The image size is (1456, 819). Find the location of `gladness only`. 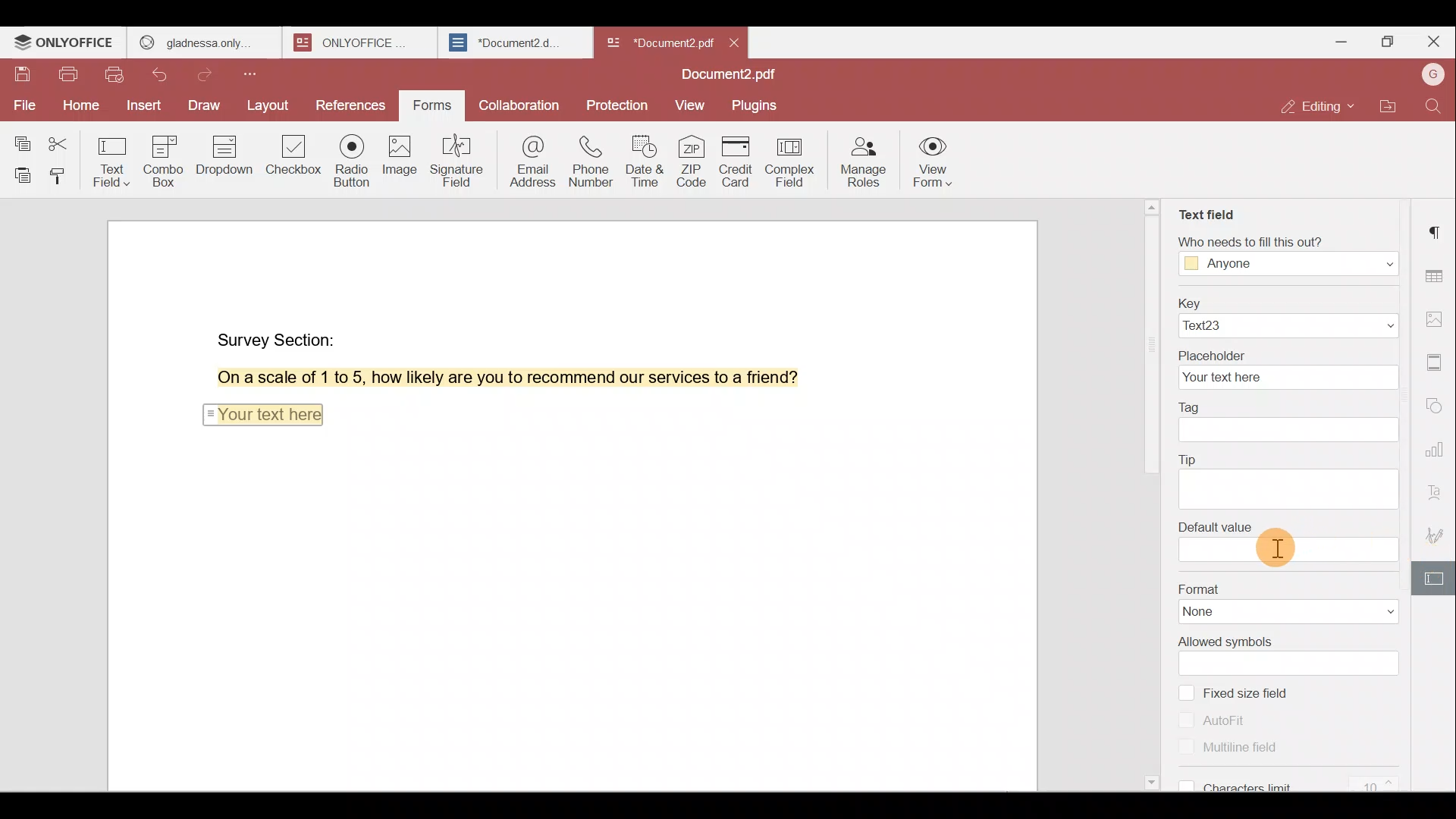

gladness only is located at coordinates (204, 42).